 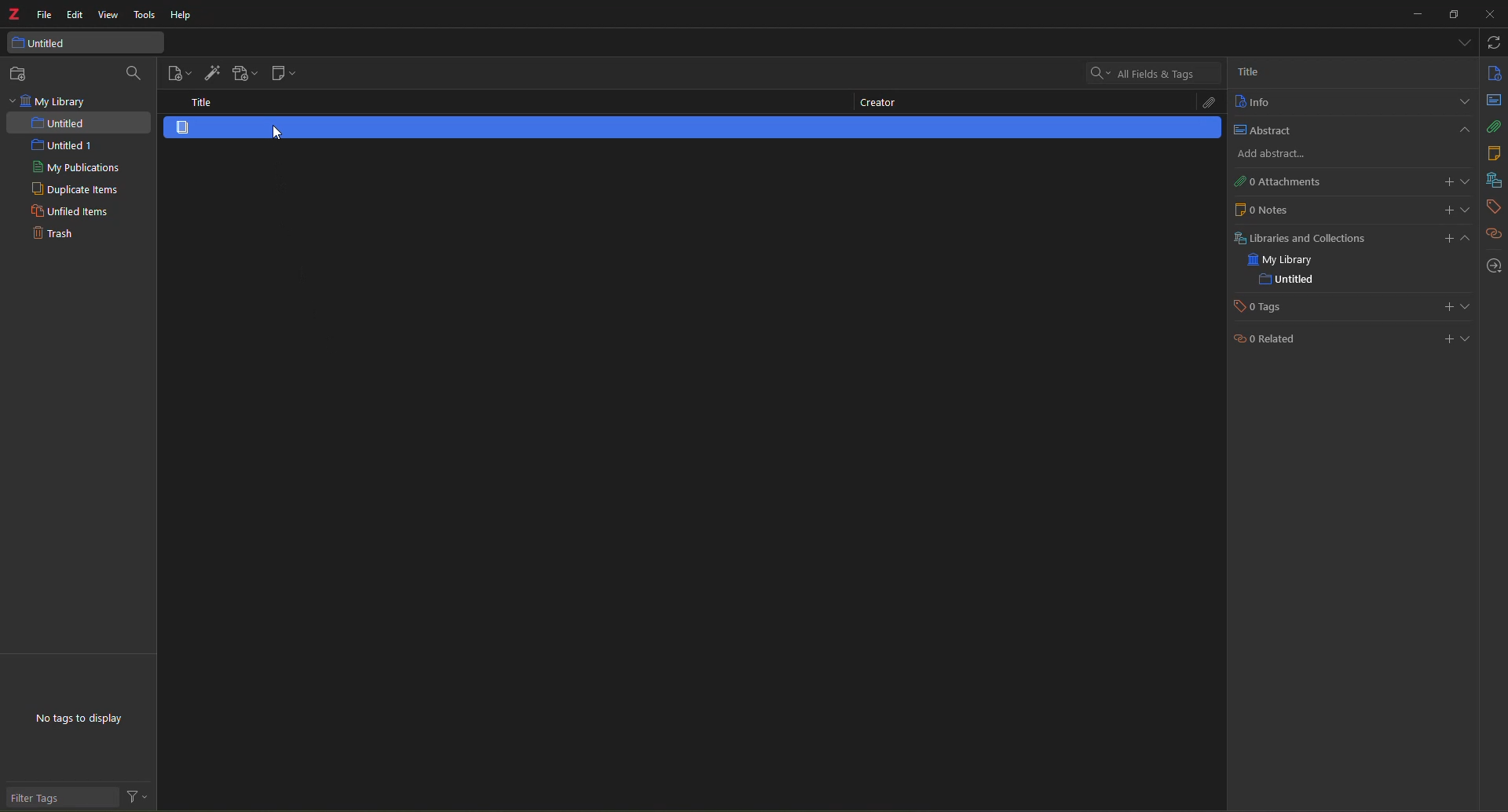 What do you see at coordinates (1447, 182) in the screenshot?
I see `add` at bounding box center [1447, 182].